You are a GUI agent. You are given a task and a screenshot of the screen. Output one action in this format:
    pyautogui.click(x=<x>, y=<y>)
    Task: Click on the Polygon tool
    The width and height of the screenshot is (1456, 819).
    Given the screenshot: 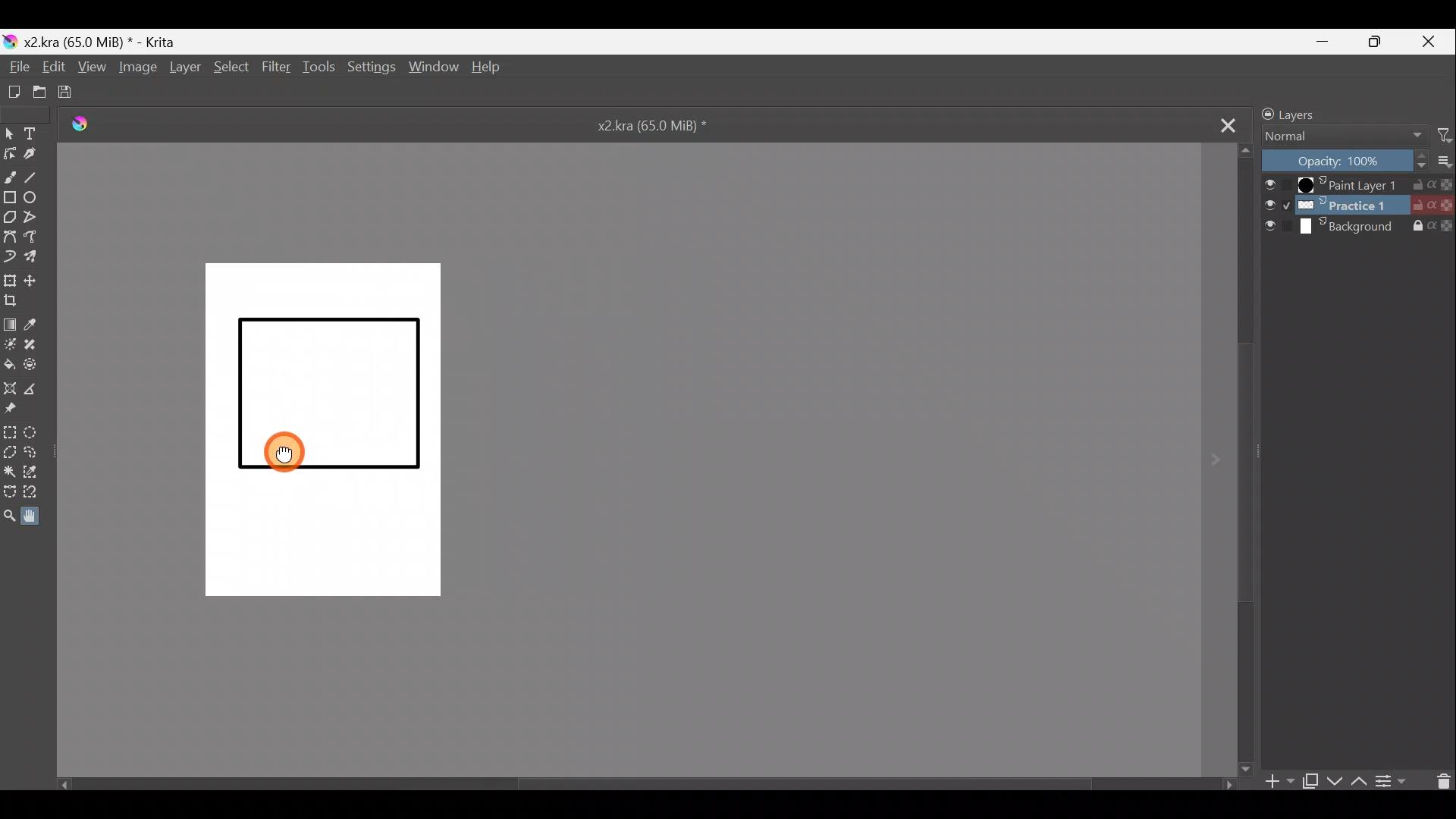 What is the action you would take?
    pyautogui.click(x=9, y=219)
    